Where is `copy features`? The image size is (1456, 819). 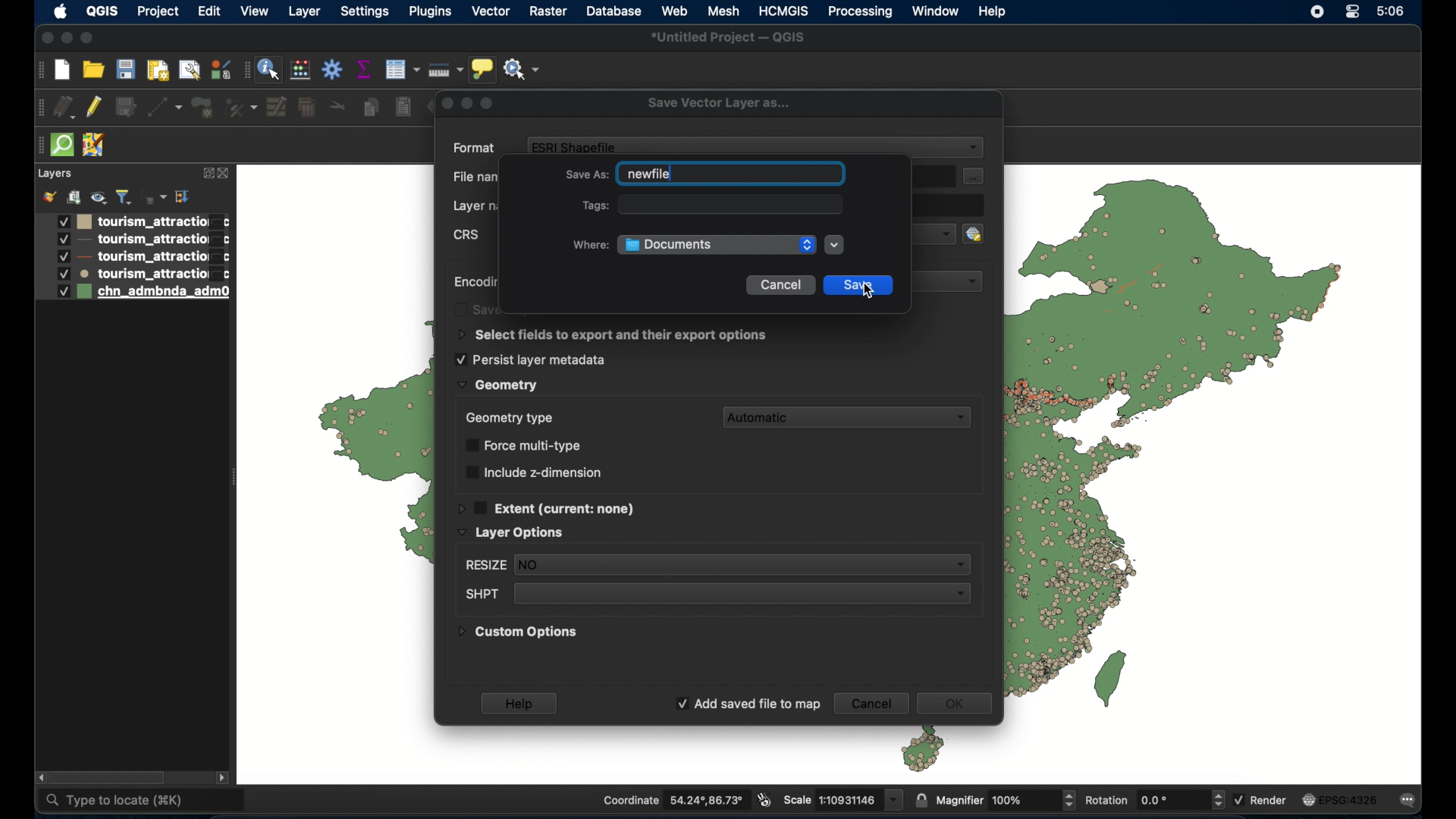
copy features is located at coordinates (370, 108).